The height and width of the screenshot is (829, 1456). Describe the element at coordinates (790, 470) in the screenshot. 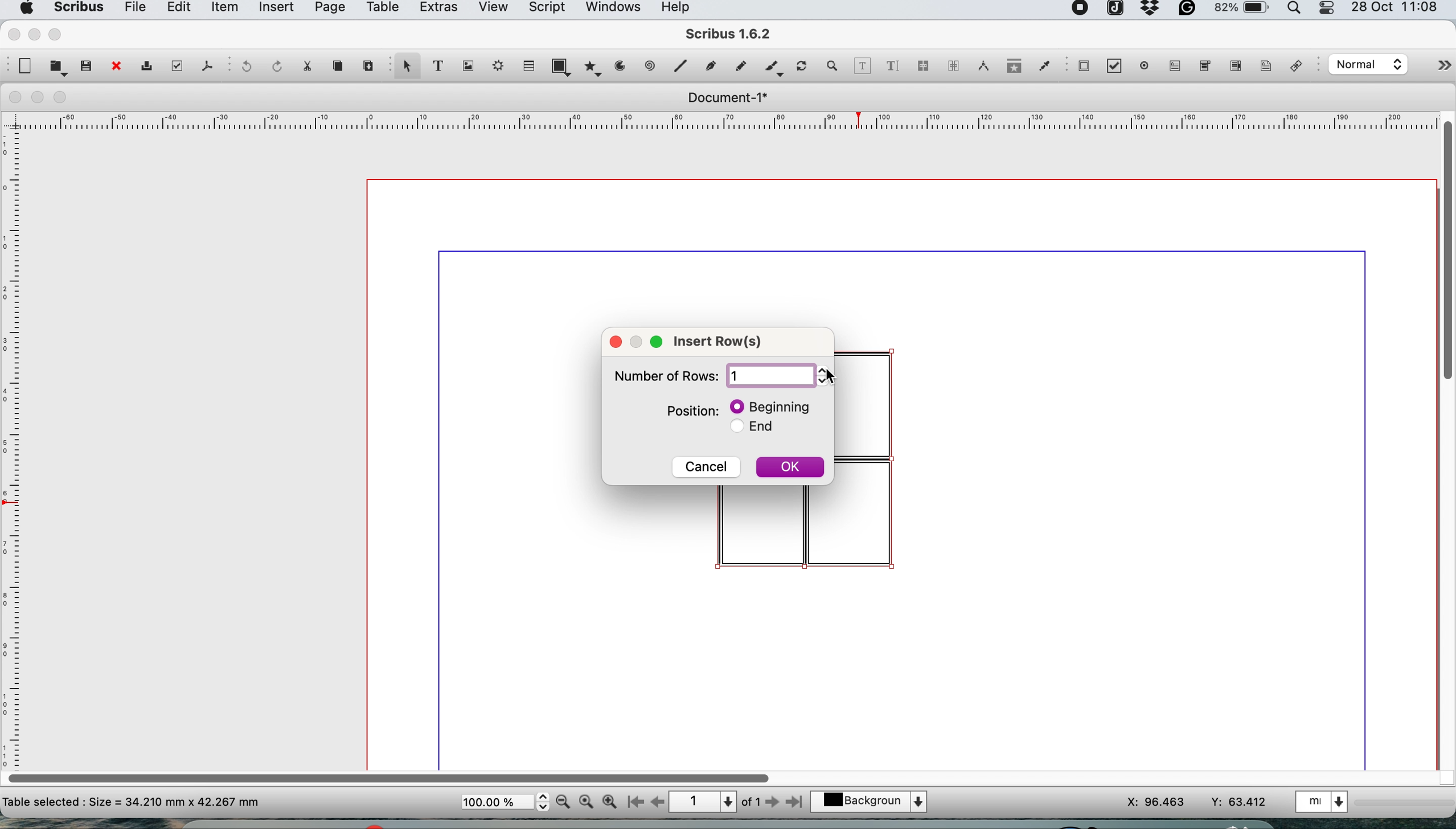

I see `ok` at that location.